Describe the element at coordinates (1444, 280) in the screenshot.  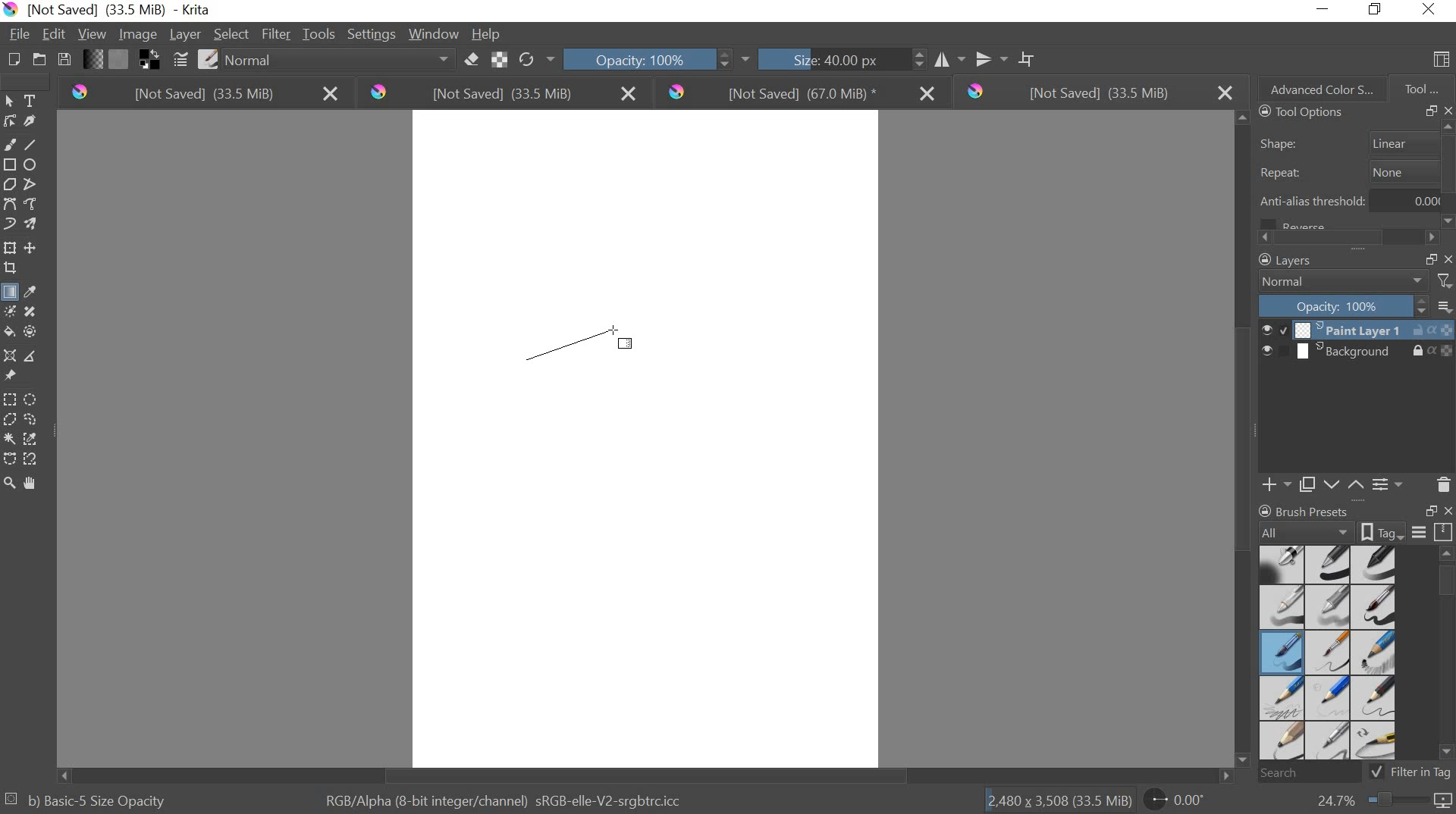
I see `FILTERS` at that location.